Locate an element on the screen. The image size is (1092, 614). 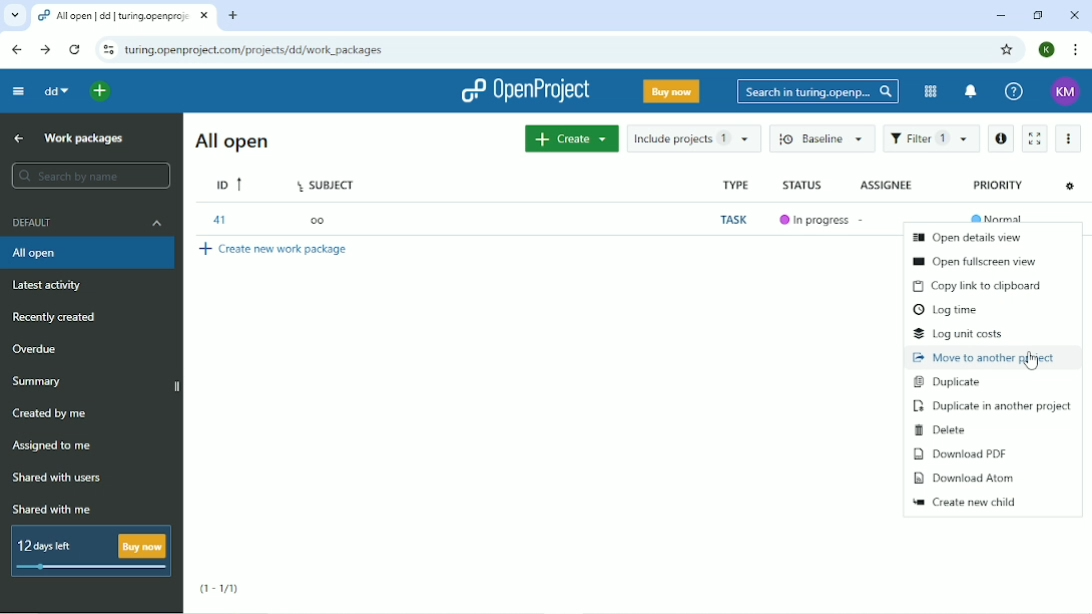
Customize and conrol google chrome is located at coordinates (1076, 50).